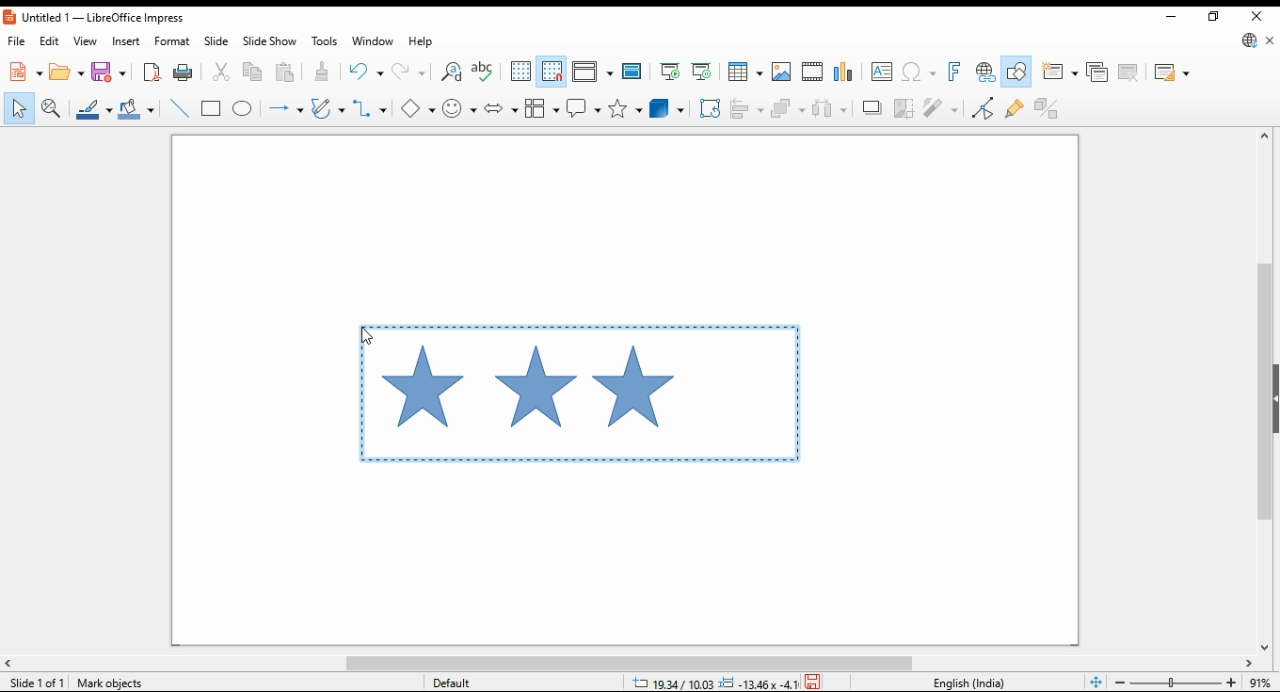 This screenshot has width=1280, height=692. I want to click on crop, so click(903, 108).